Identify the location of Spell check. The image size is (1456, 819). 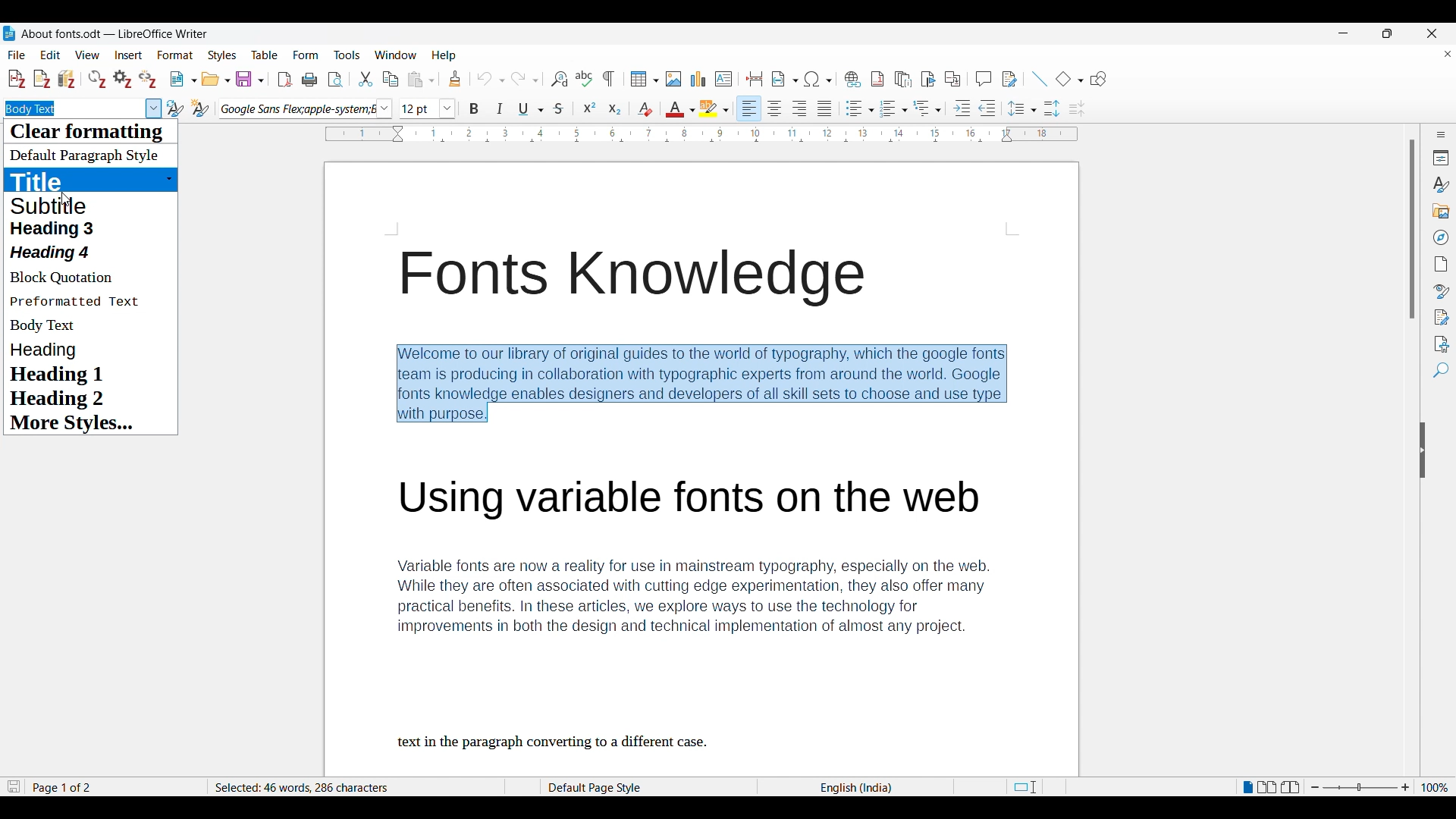
(584, 79).